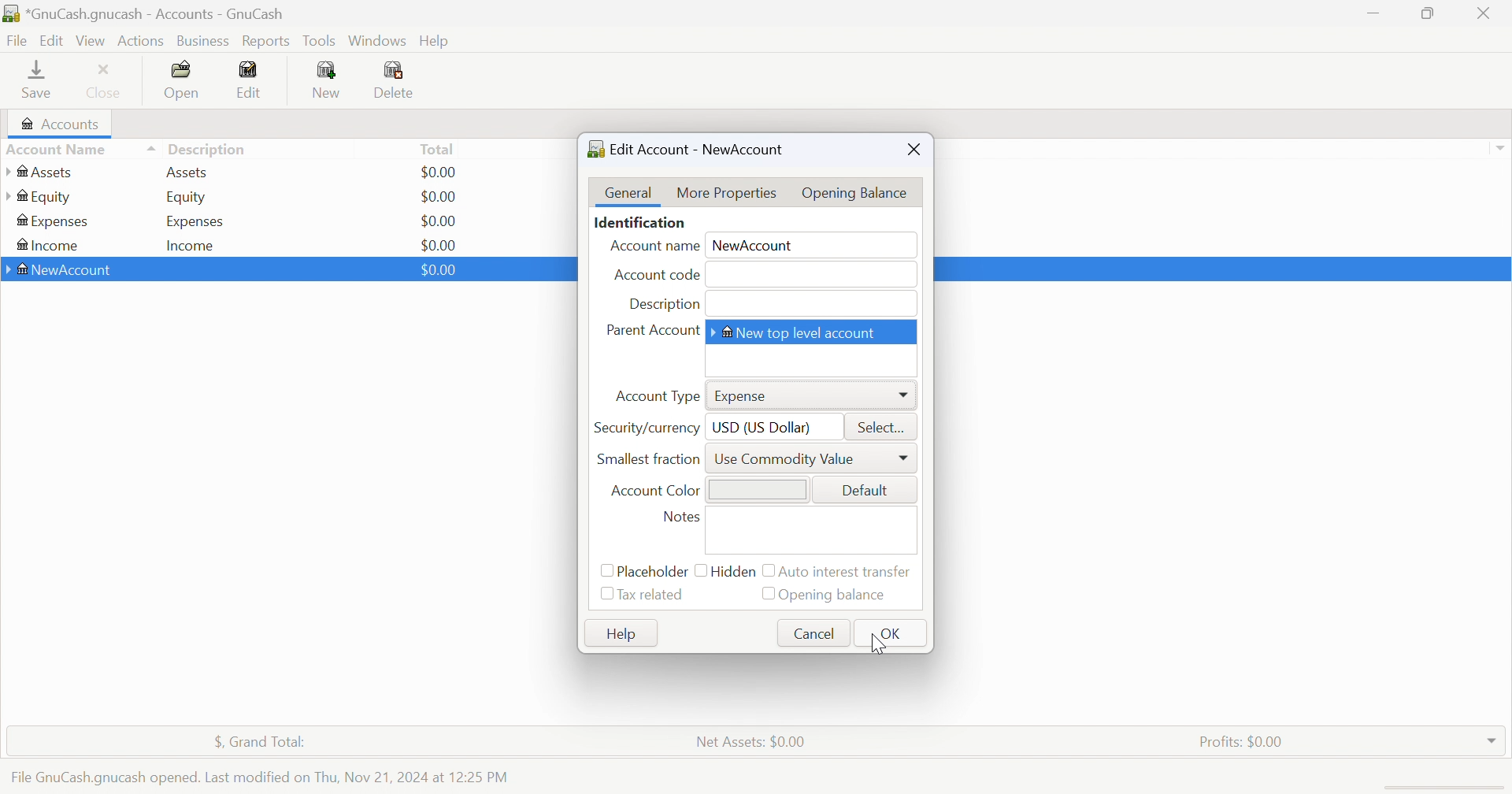 This screenshot has height=794, width=1512. Describe the element at coordinates (62, 271) in the screenshot. I see `NewAccount` at that location.